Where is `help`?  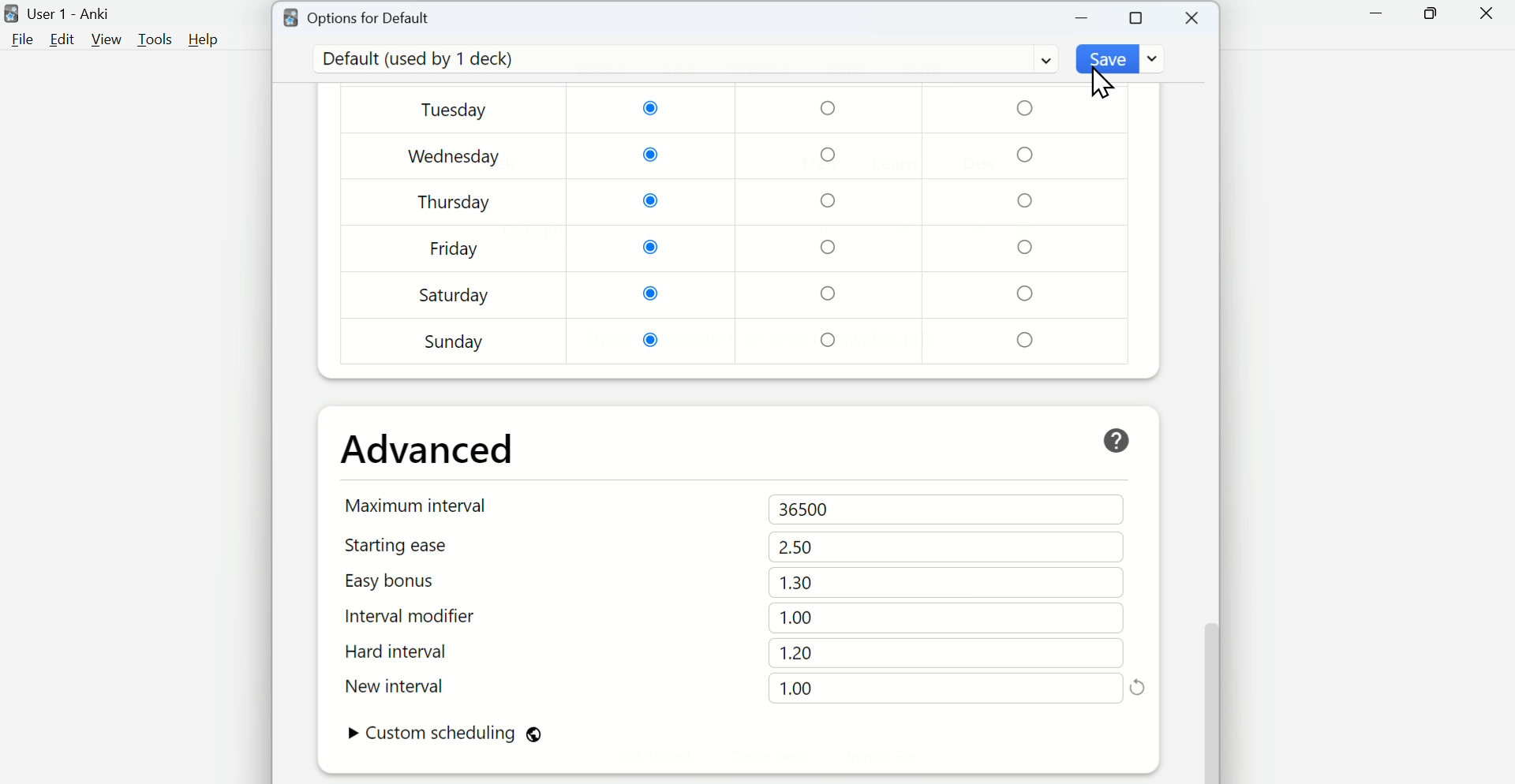
help is located at coordinates (1117, 441).